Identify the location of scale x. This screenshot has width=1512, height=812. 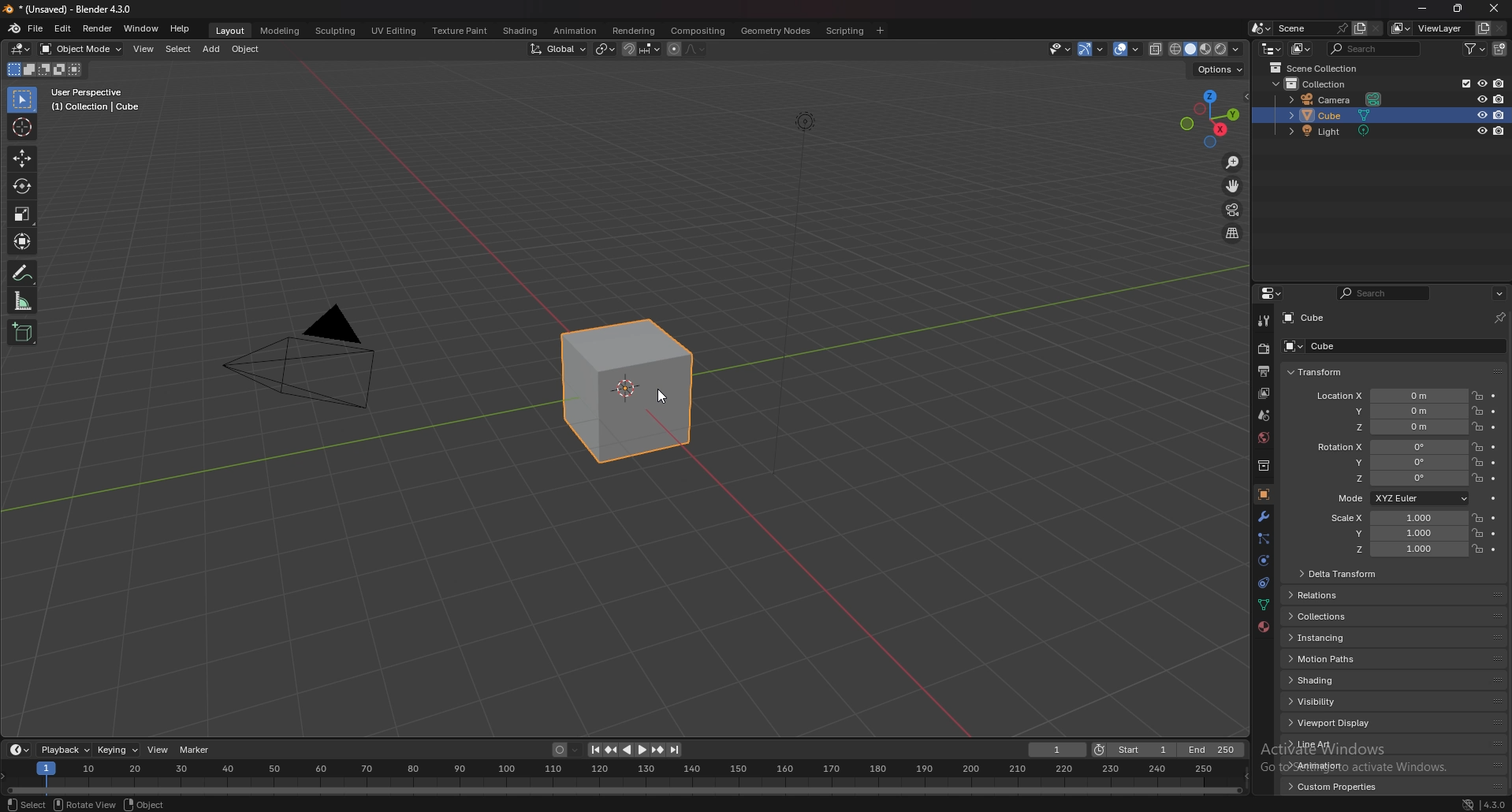
(1396, 518).